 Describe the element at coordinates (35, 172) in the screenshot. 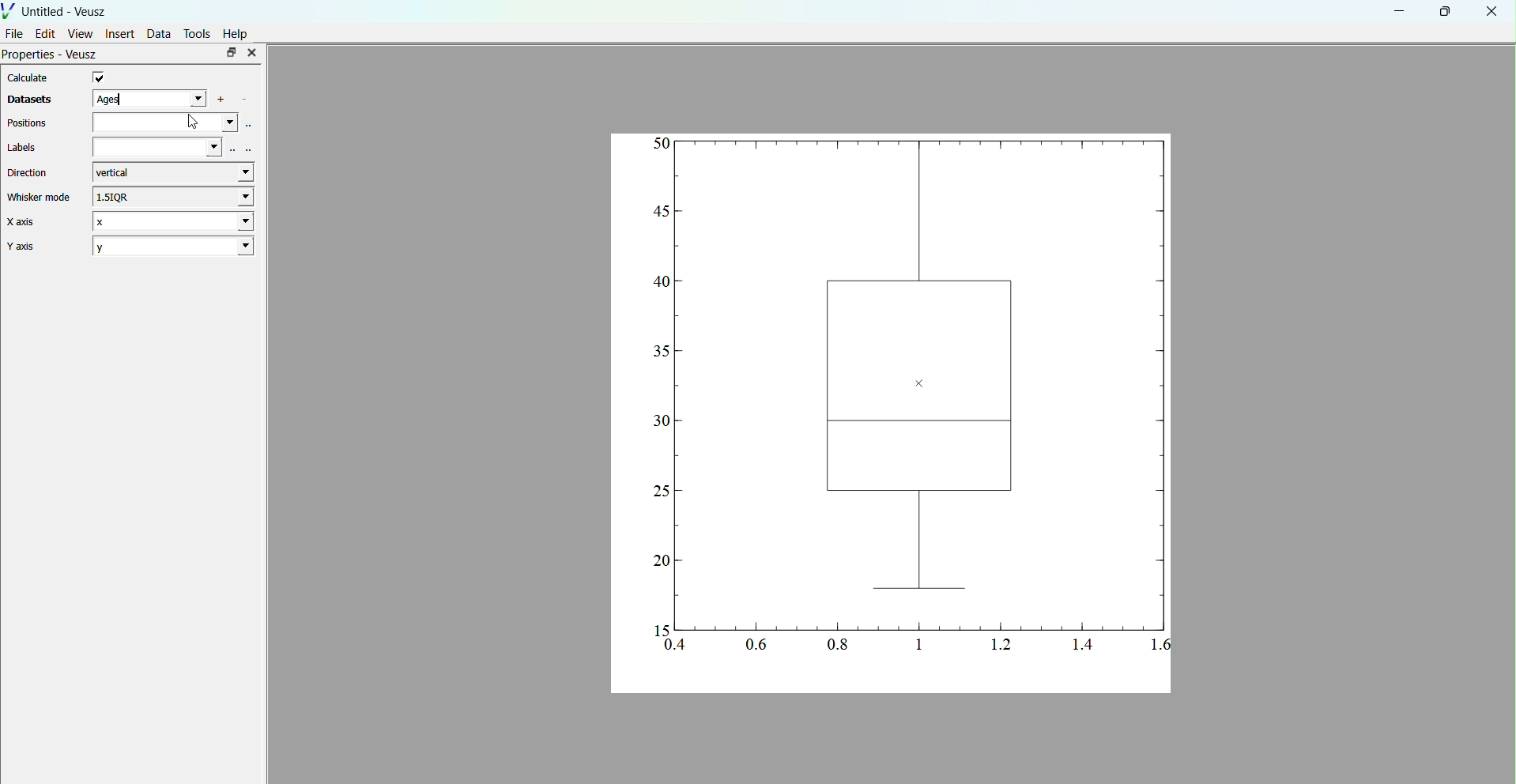

I see `Direction` at that location.